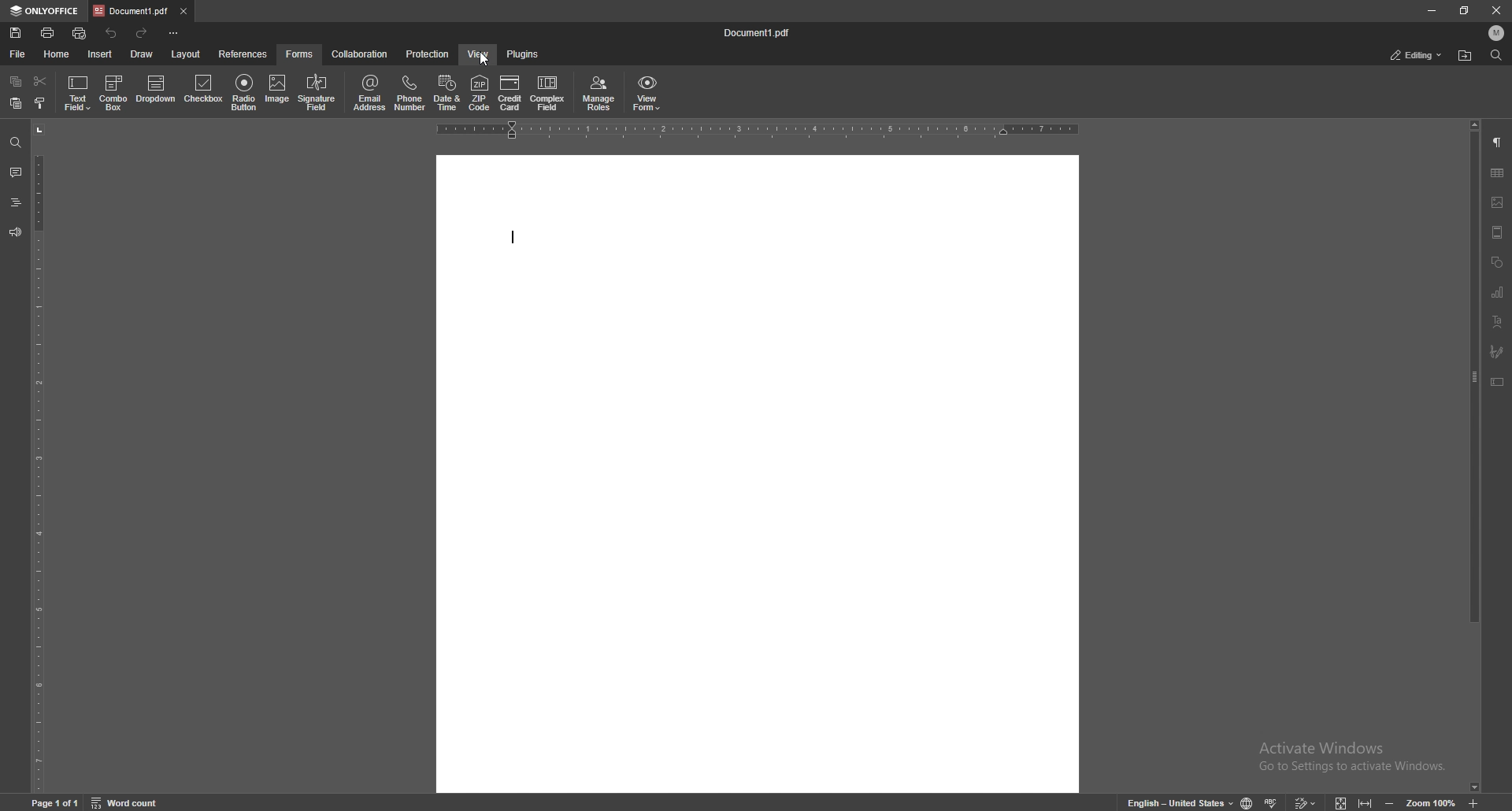 This screenshot has width=1512, height=811. I want to click on layout, so click(187, 56).